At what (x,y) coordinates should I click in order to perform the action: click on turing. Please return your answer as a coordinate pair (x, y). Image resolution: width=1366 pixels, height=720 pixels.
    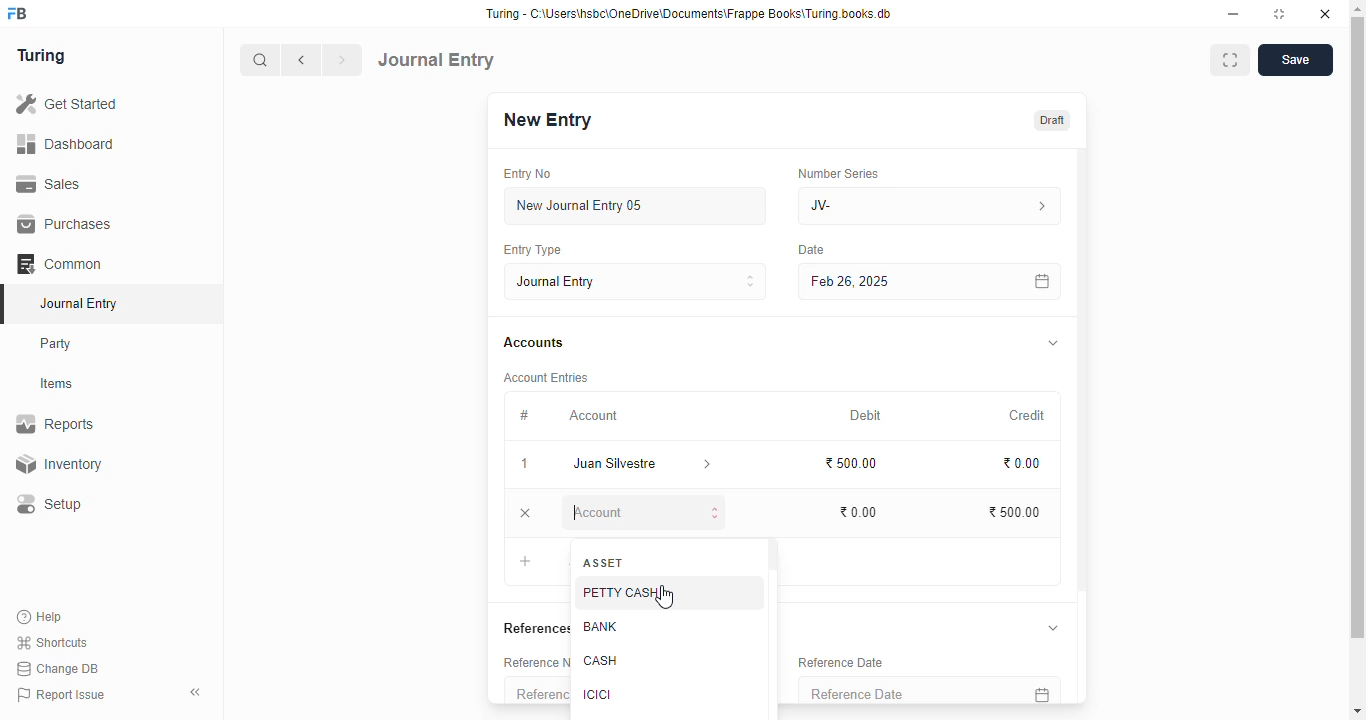
    Looking at the image, I should click on (42, 57).